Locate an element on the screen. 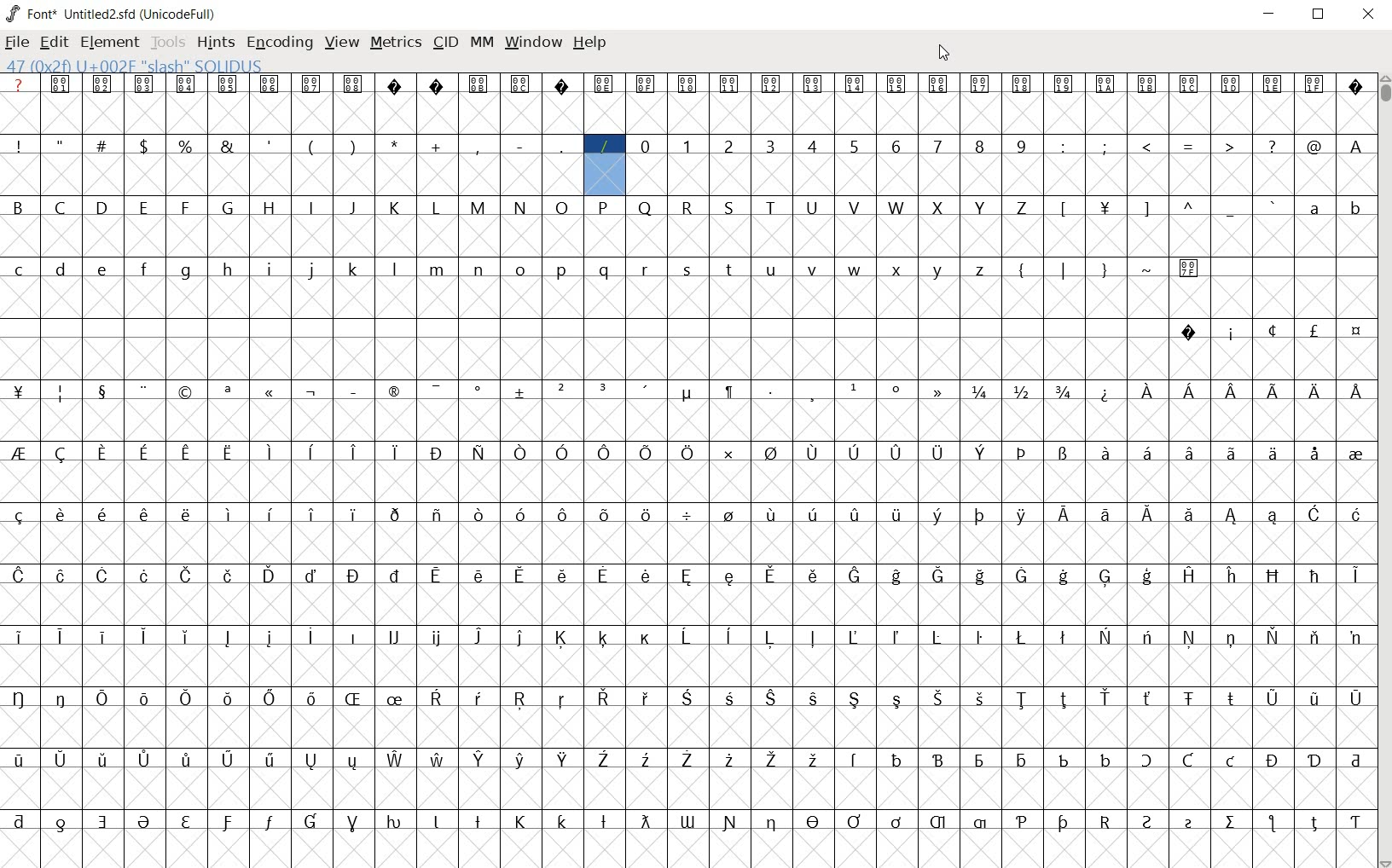  glyph is located at coordinates (1231, 211).